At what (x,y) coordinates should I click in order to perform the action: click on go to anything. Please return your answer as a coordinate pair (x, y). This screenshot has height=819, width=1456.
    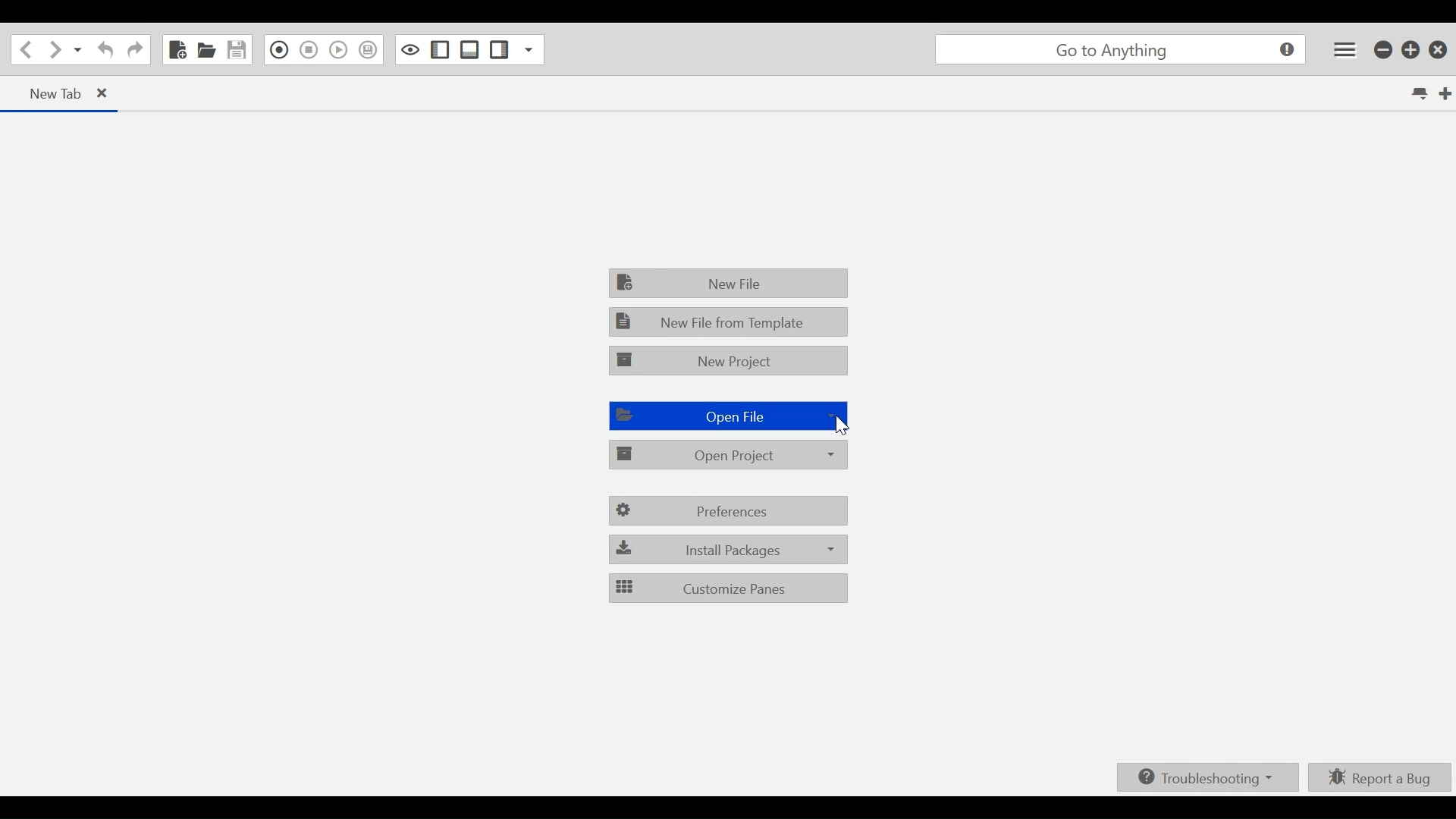
    Looking at the image, I should click on (1118, 50).